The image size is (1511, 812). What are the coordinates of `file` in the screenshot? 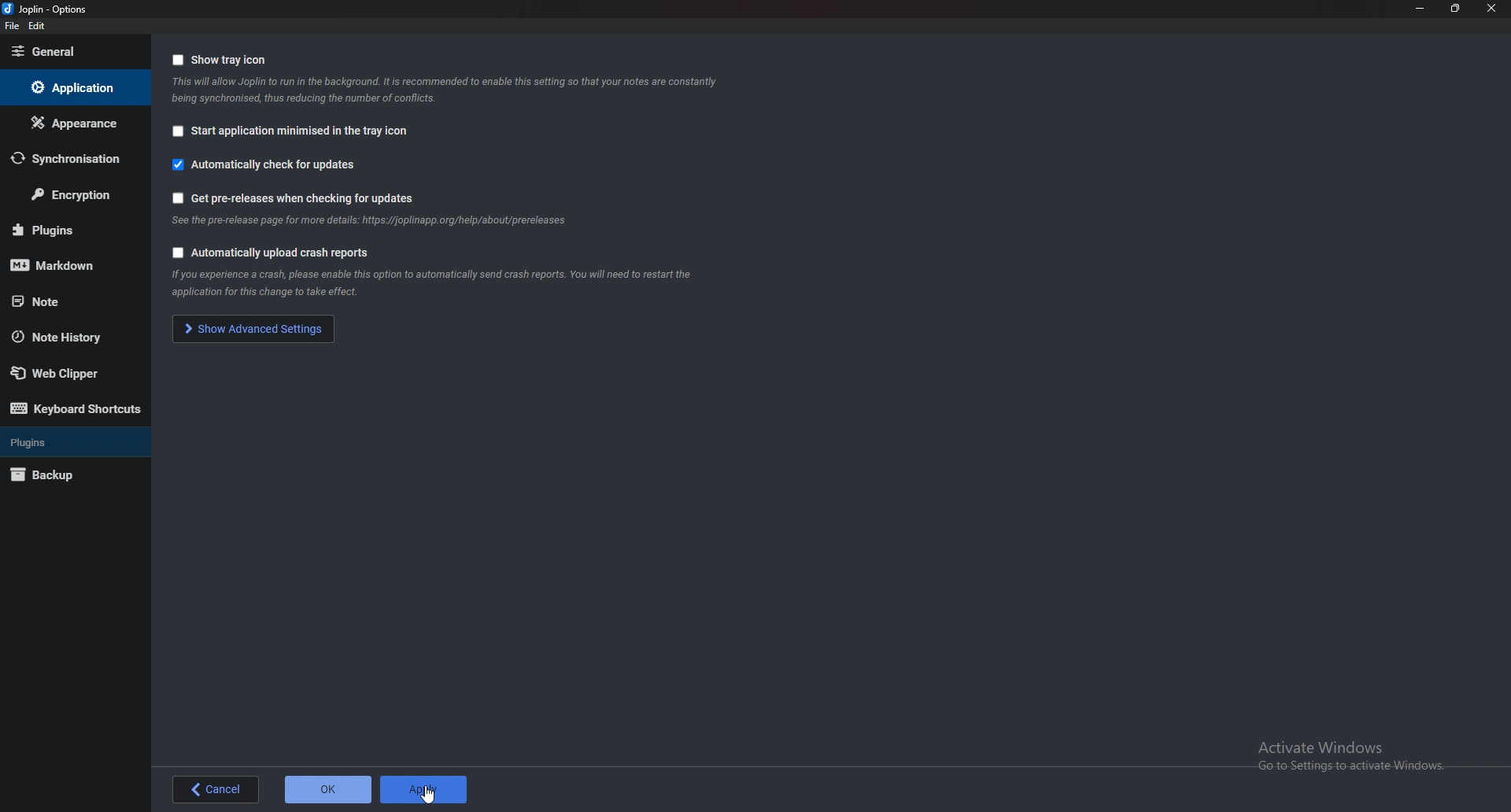 It's located at (12, 28).